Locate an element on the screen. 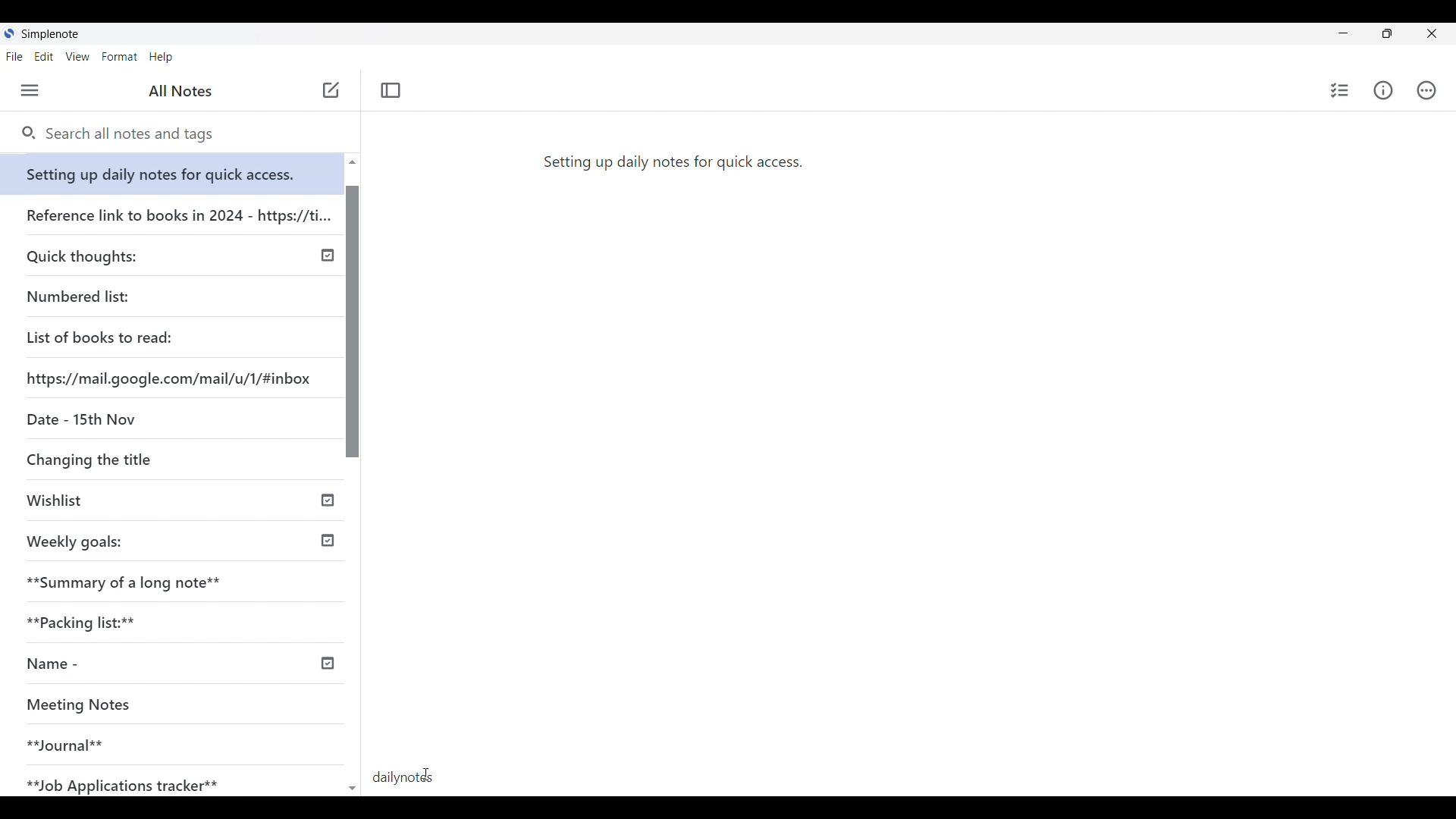 Image resolution: width=1456 pixels, height=819 pixels. published is located at coordinates (329, 256).